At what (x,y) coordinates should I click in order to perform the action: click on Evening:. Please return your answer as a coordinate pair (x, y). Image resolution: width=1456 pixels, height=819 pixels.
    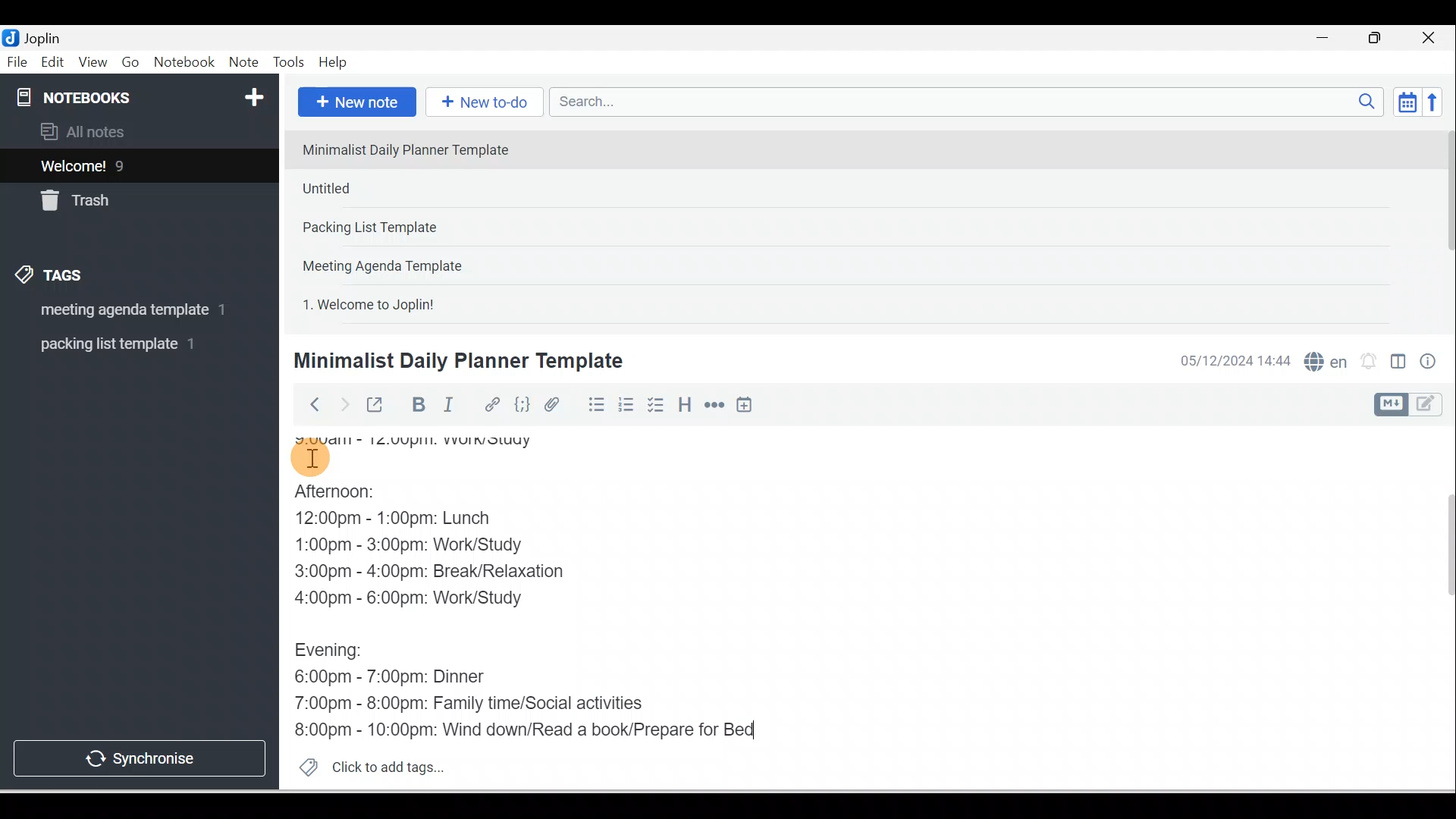
    Looking at the image, I should click on (339, 653).